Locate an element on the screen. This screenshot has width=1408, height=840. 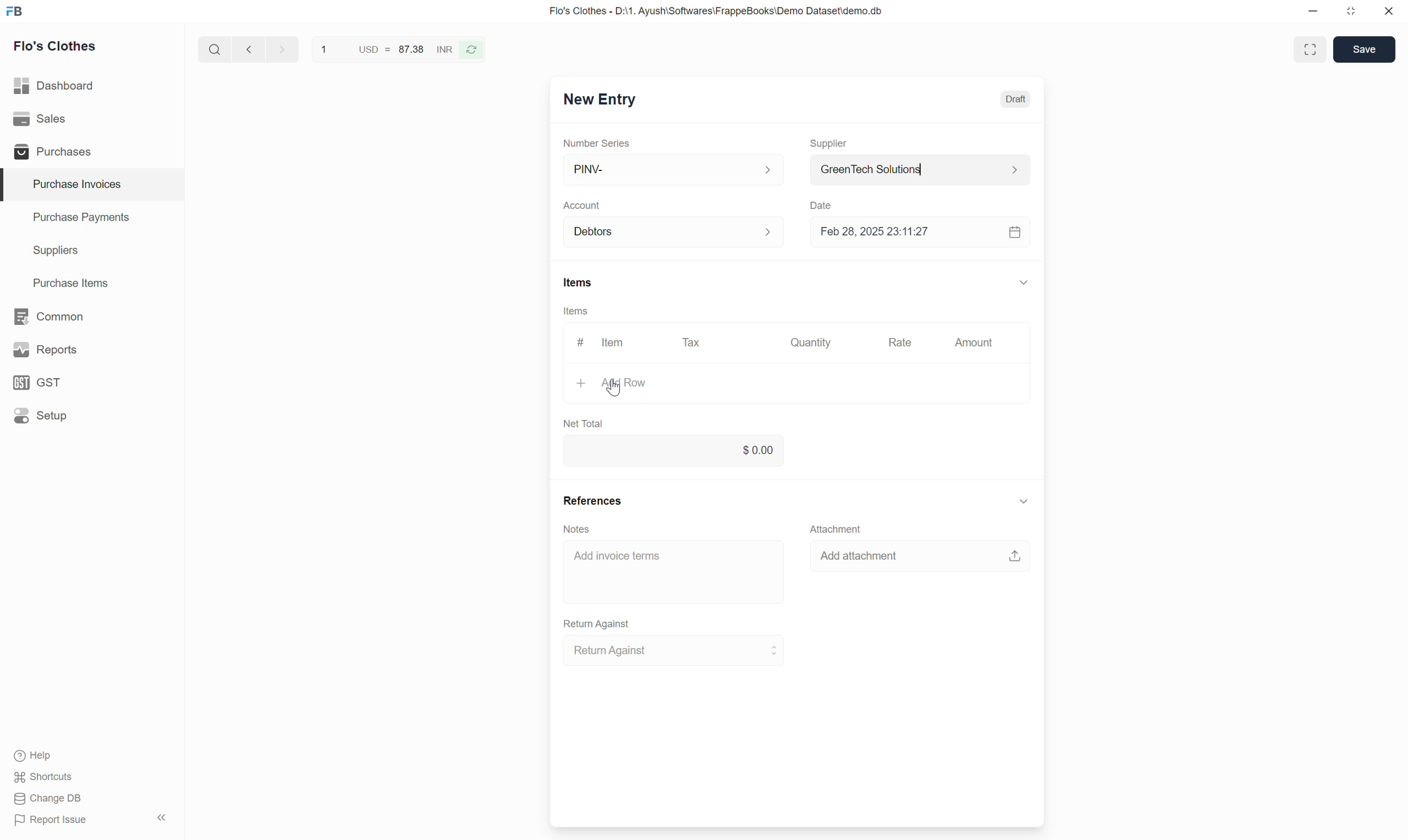
Change dimension is located at coordinates (1350, 11).